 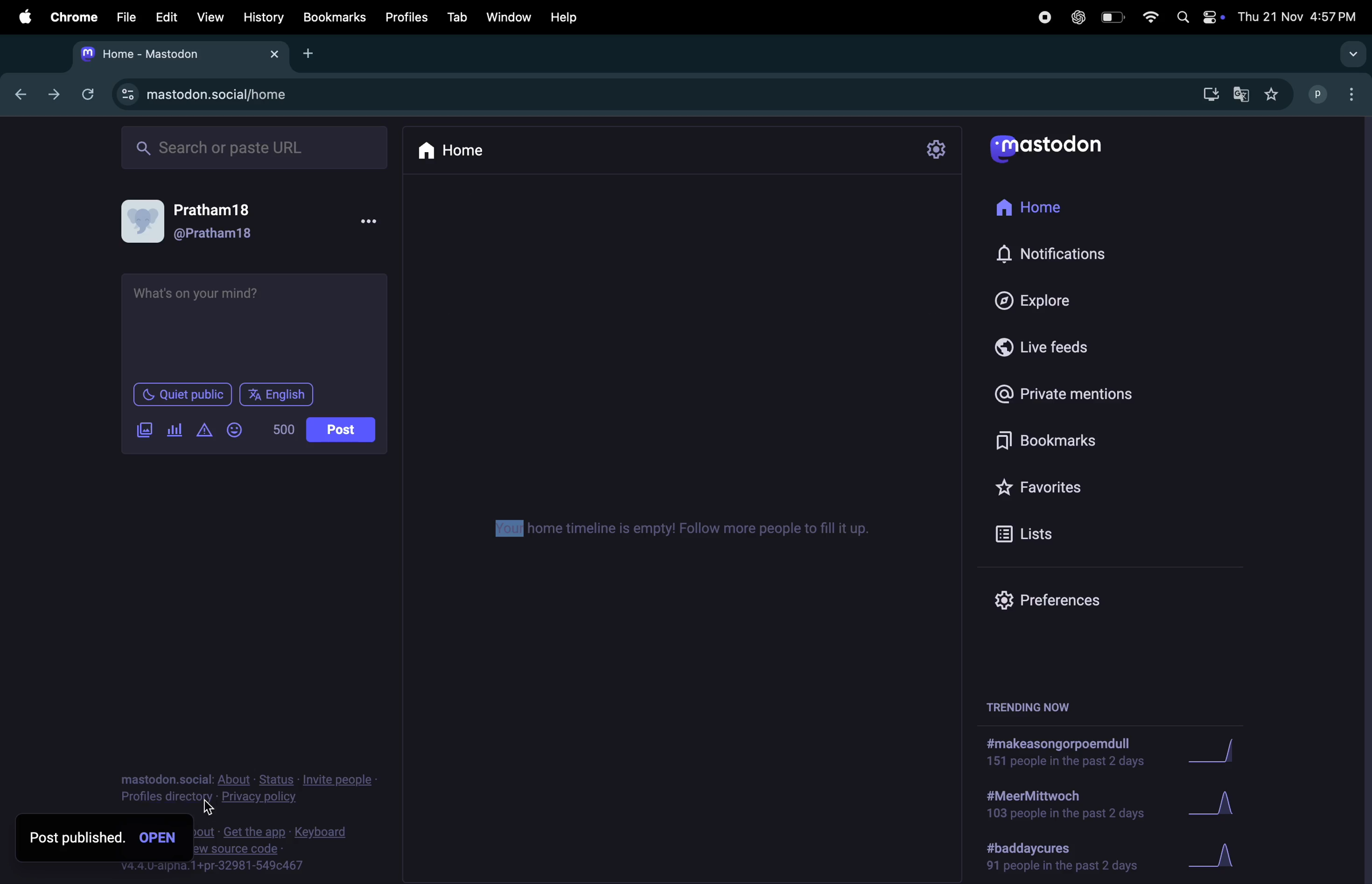 I want to click on textbox, so click(x=257, y=325).